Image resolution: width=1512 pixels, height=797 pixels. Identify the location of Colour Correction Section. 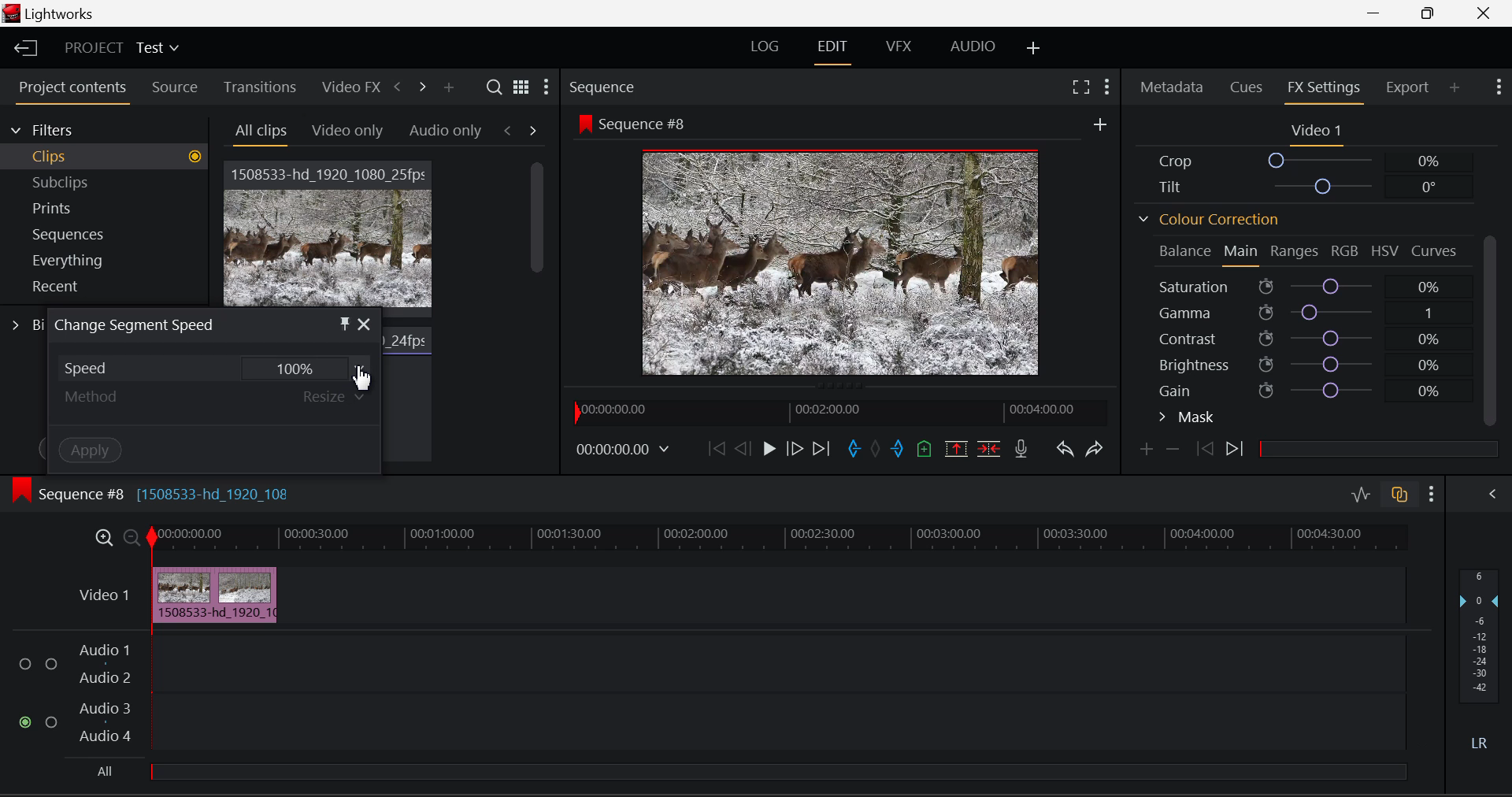
(1237, 219).